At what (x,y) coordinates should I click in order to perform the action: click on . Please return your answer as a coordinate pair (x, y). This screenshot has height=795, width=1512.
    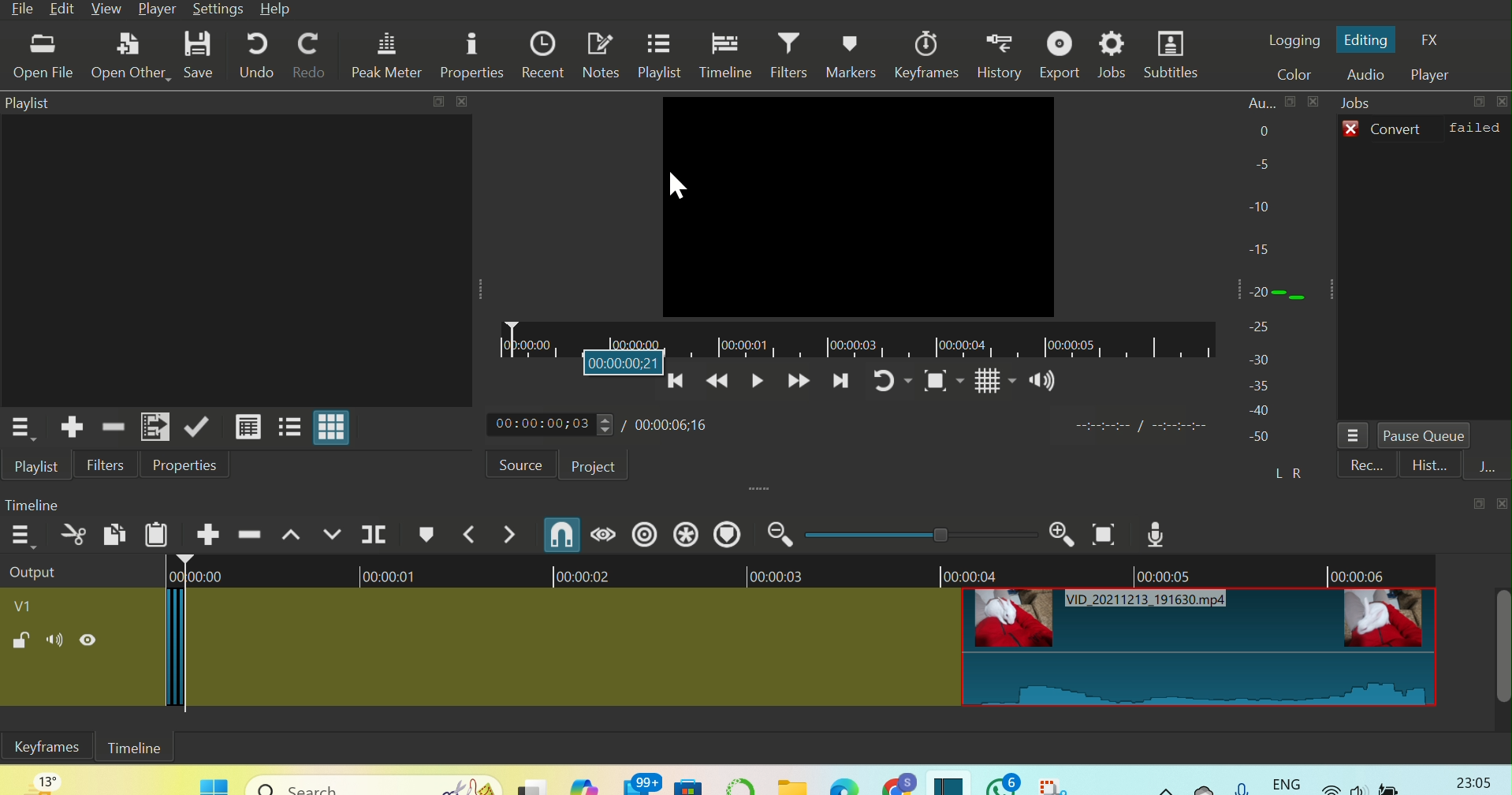
    Looking at the image, I should click on (1101, 426).